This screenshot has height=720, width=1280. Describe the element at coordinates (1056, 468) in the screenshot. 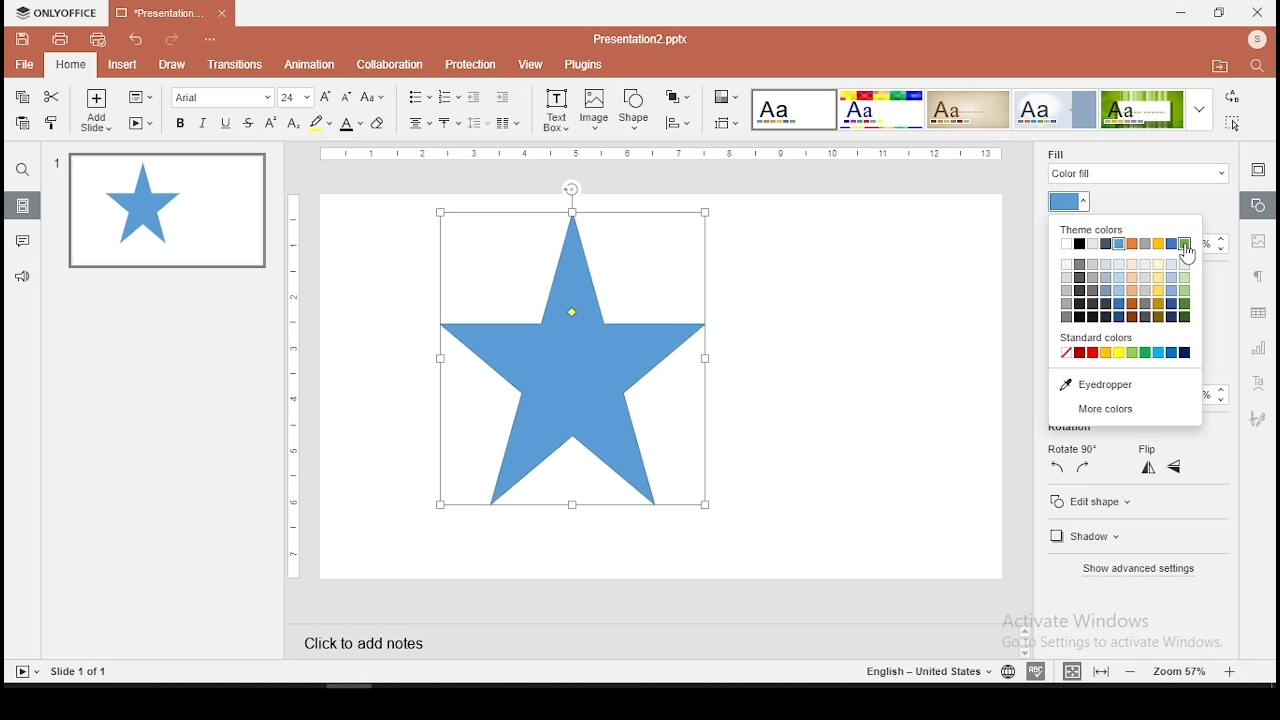

I see `rotate 90 counterclockwise` at that location.